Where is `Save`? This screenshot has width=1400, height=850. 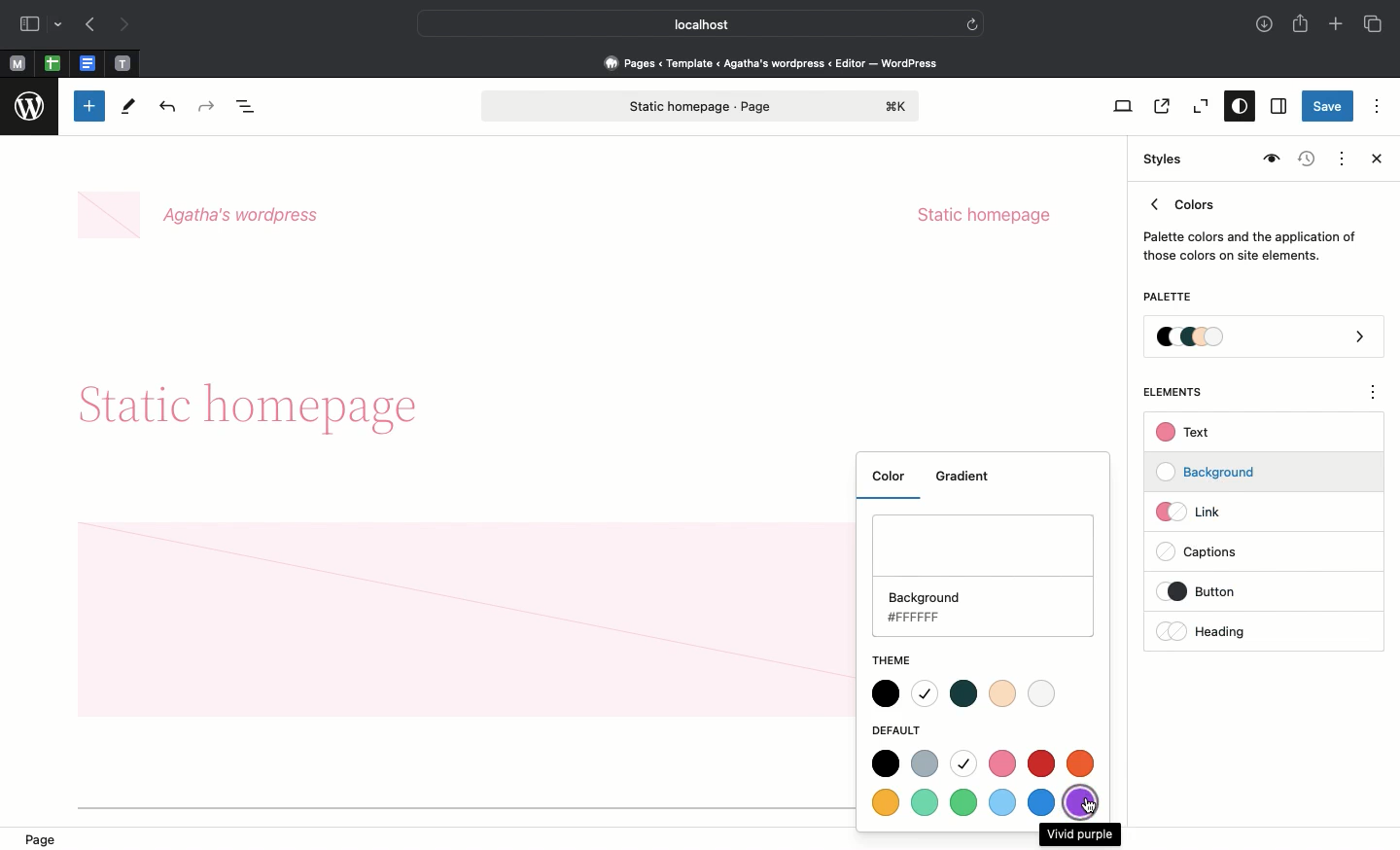 Save is located at coordinates (1328, 108).